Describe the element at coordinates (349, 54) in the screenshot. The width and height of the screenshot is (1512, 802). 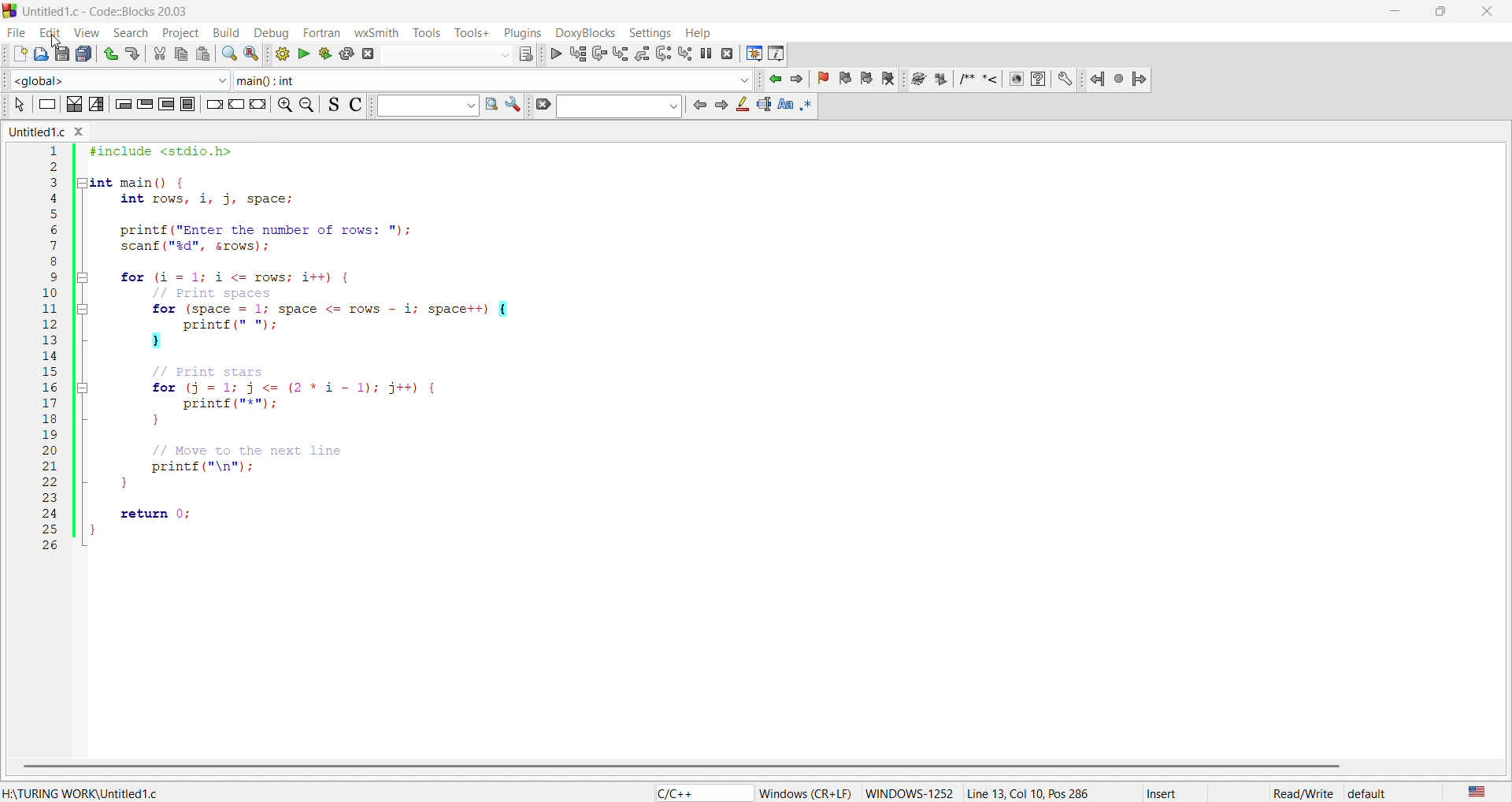
I see `rebuild` at that location.